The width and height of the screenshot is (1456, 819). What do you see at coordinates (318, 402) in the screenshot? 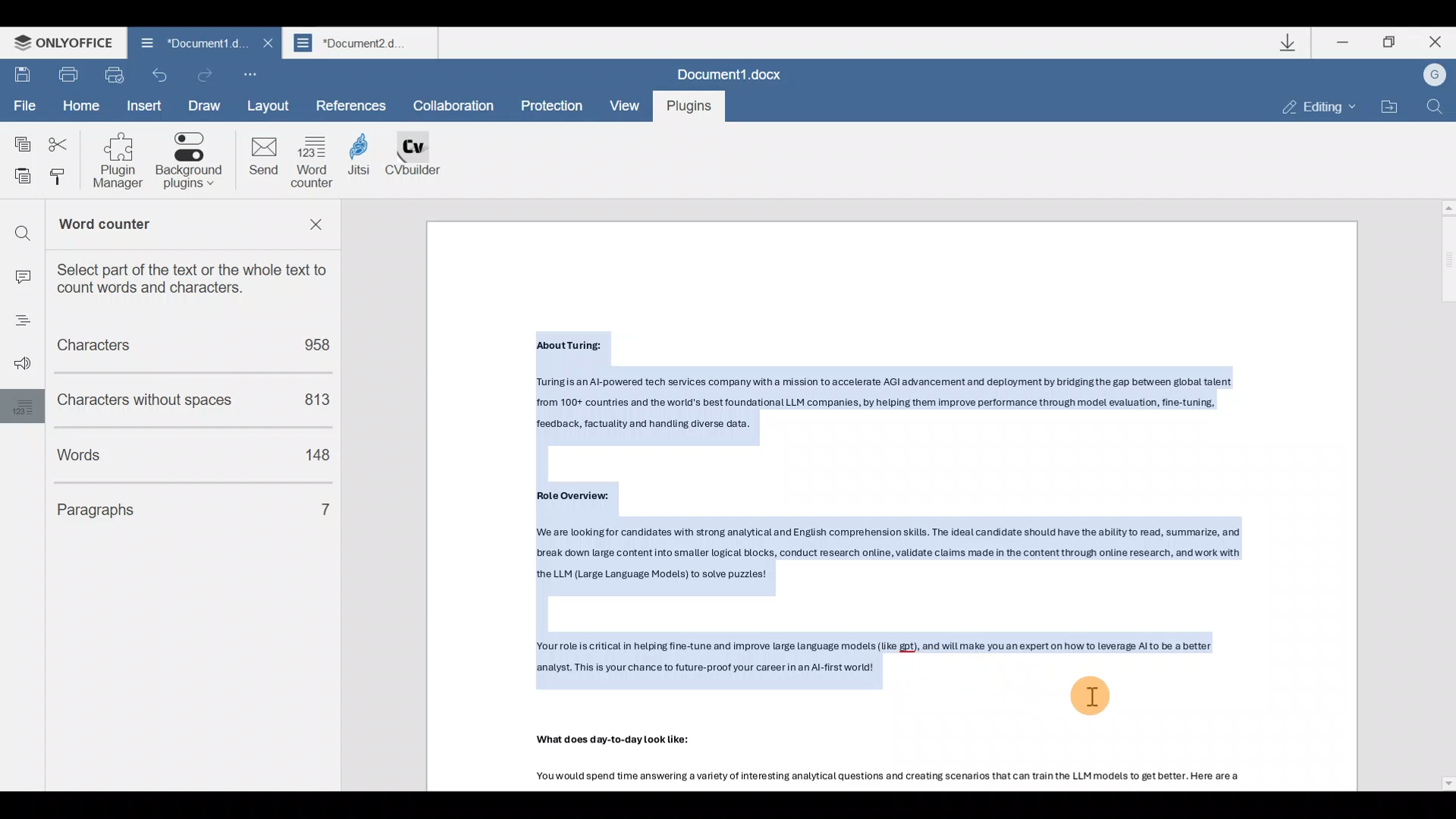
I see `813` at bounding box center [318, 402].